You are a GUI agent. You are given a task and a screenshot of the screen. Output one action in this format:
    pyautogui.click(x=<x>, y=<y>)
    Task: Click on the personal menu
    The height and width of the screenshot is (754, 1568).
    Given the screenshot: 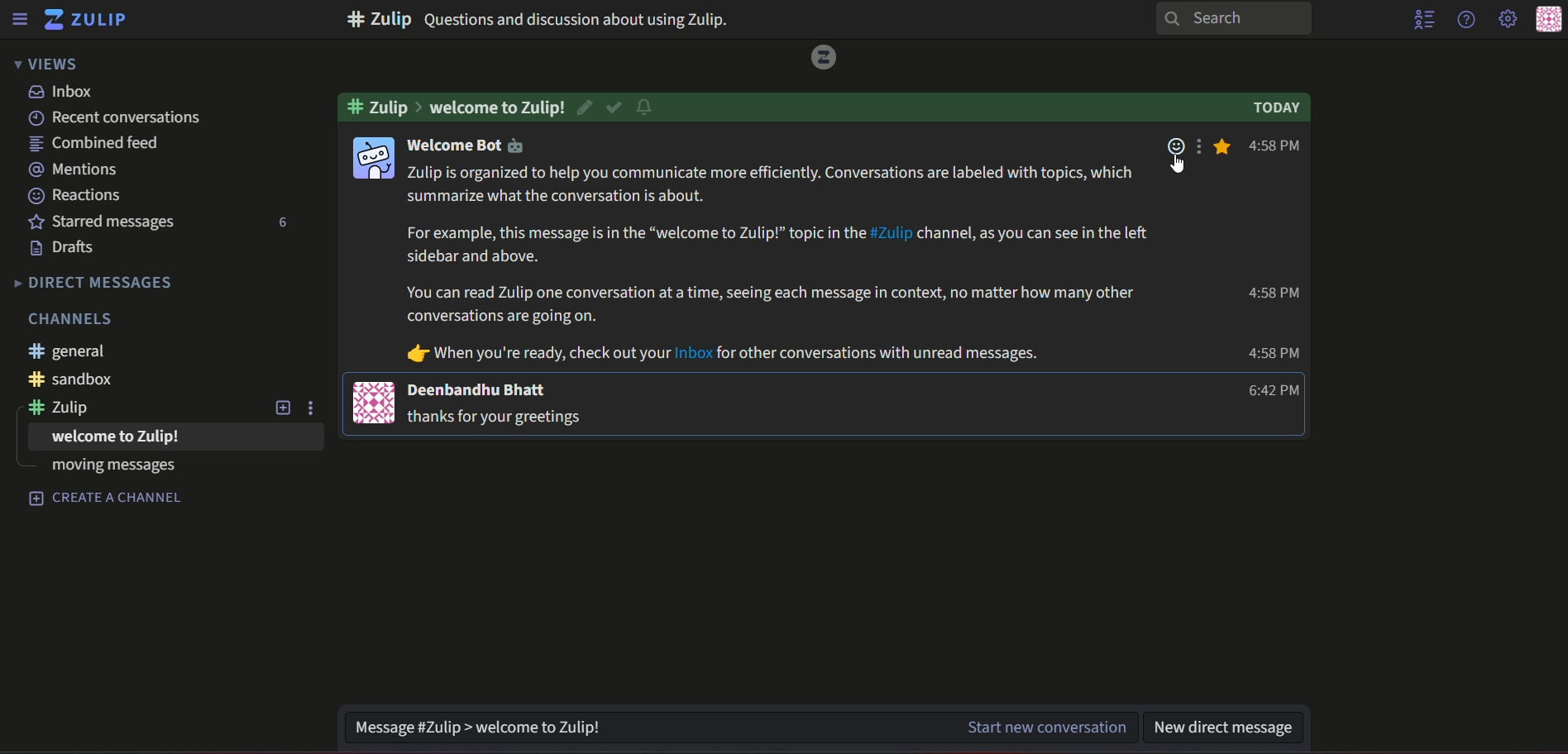 What is the action you would take?
    pyautogui.click(x=1547, y=19)
    